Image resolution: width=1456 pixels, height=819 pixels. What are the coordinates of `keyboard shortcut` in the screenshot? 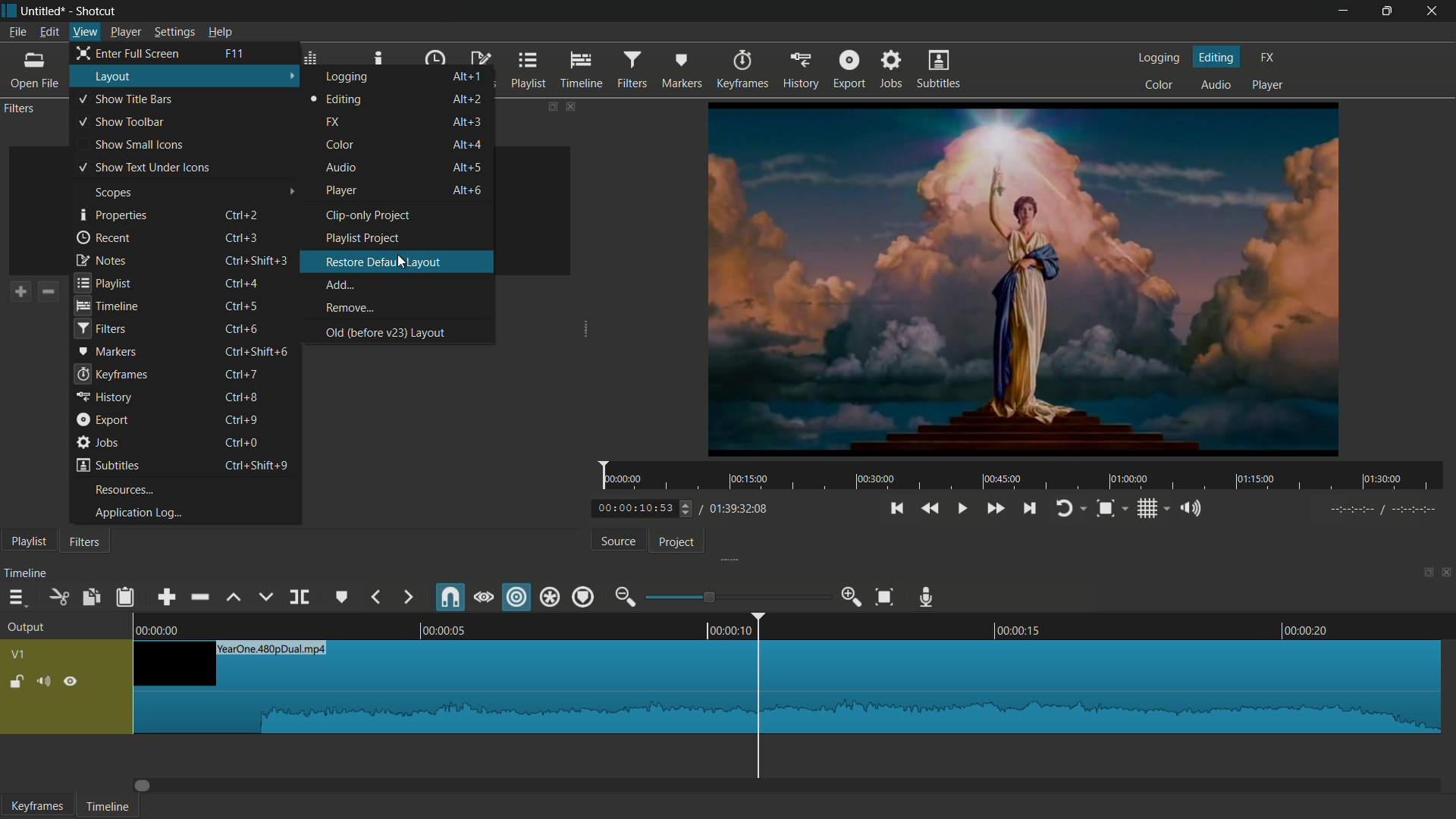 It's located at (240, 441).